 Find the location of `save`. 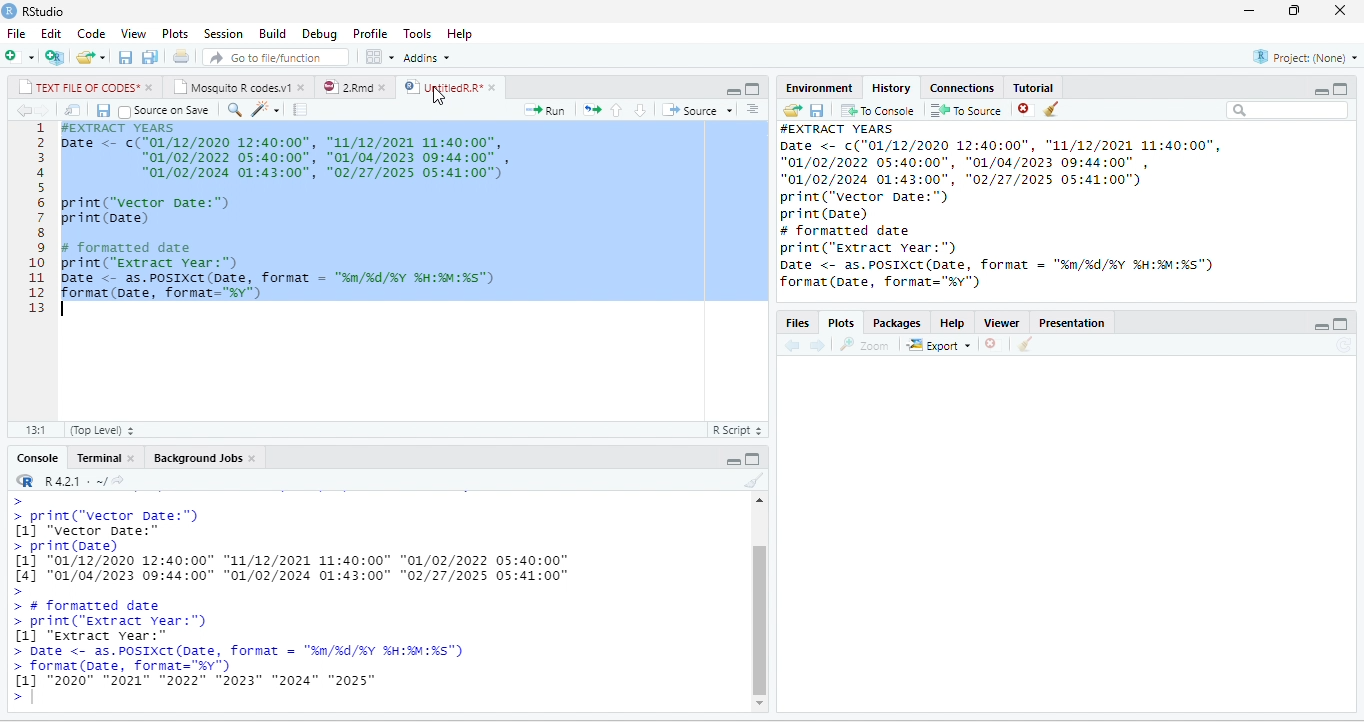

save is located at coordinates (817, 110).